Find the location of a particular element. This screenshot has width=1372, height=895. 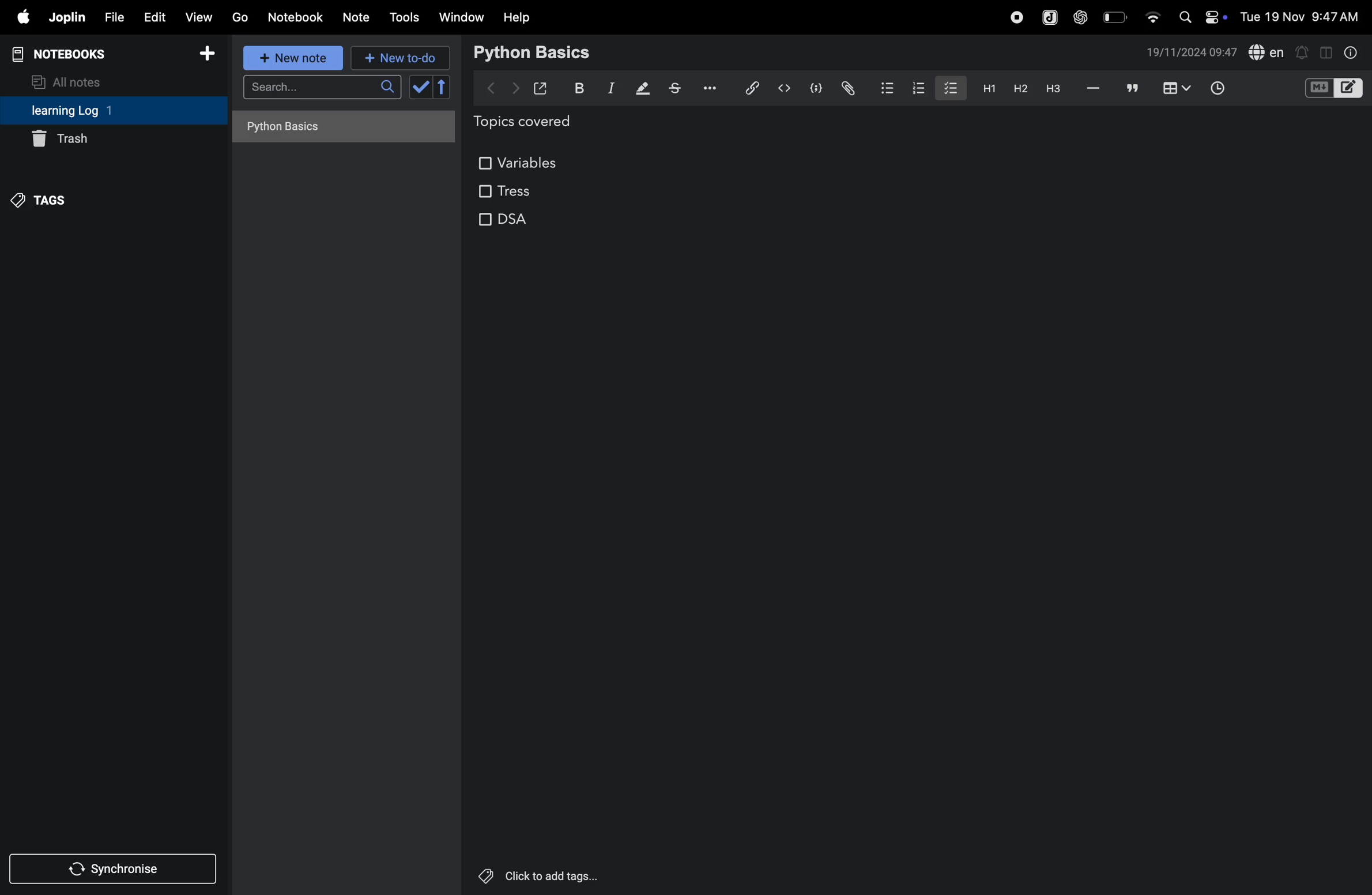

heading 2 is located at coordinates (1020, 88).